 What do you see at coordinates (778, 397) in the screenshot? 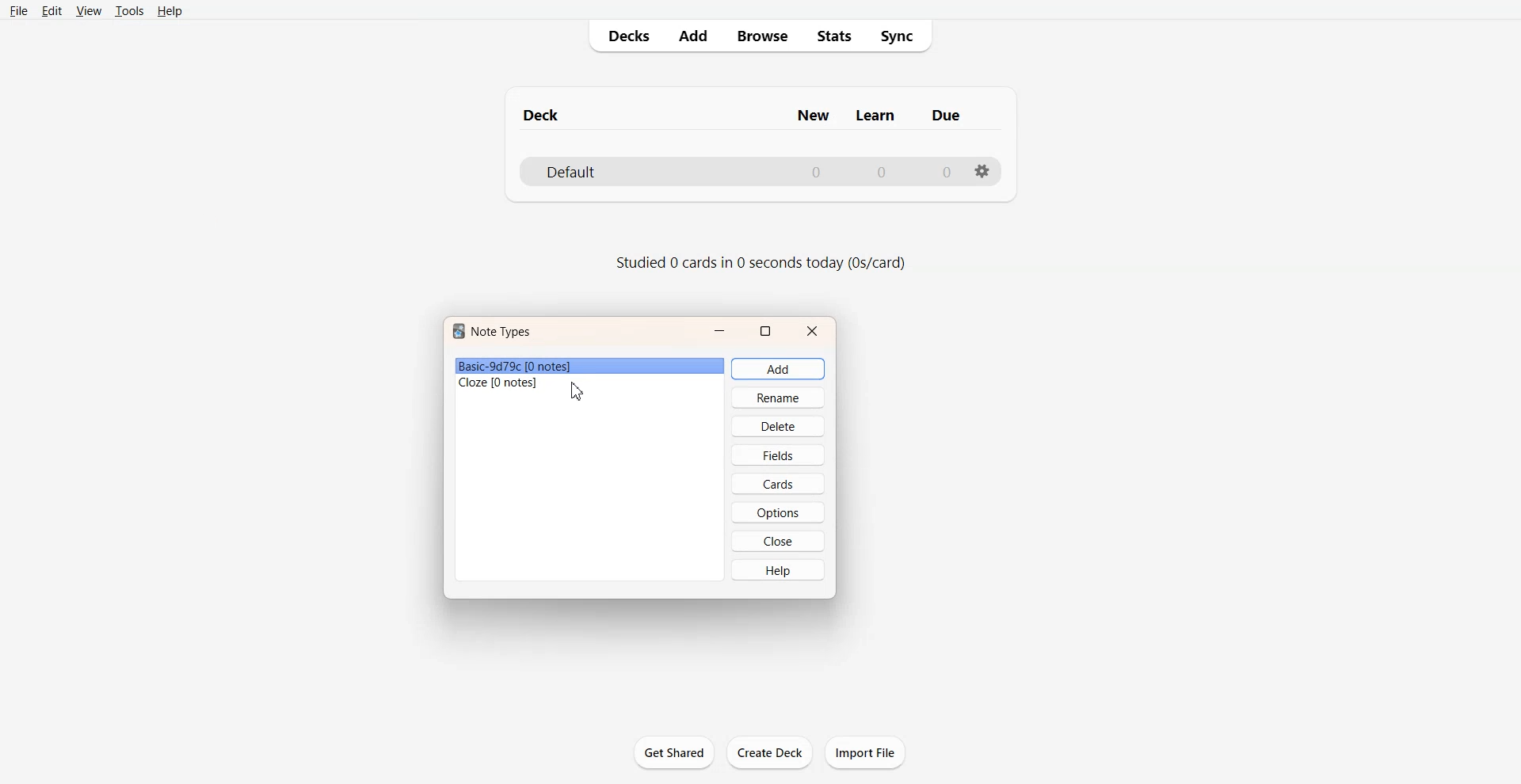
I see `Rename` at bounding box center [778, 397].